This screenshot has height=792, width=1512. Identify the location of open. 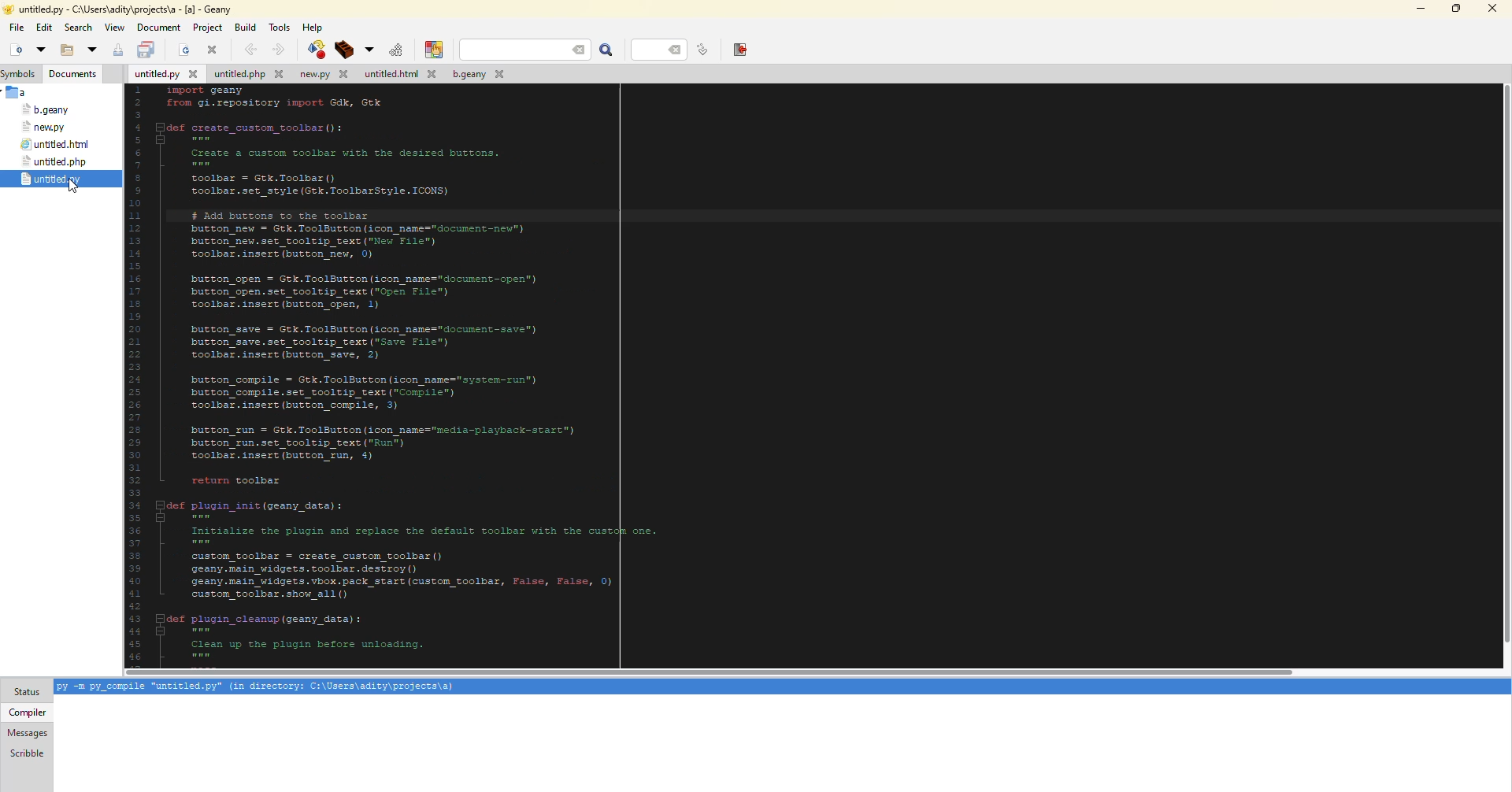
(66, 51).